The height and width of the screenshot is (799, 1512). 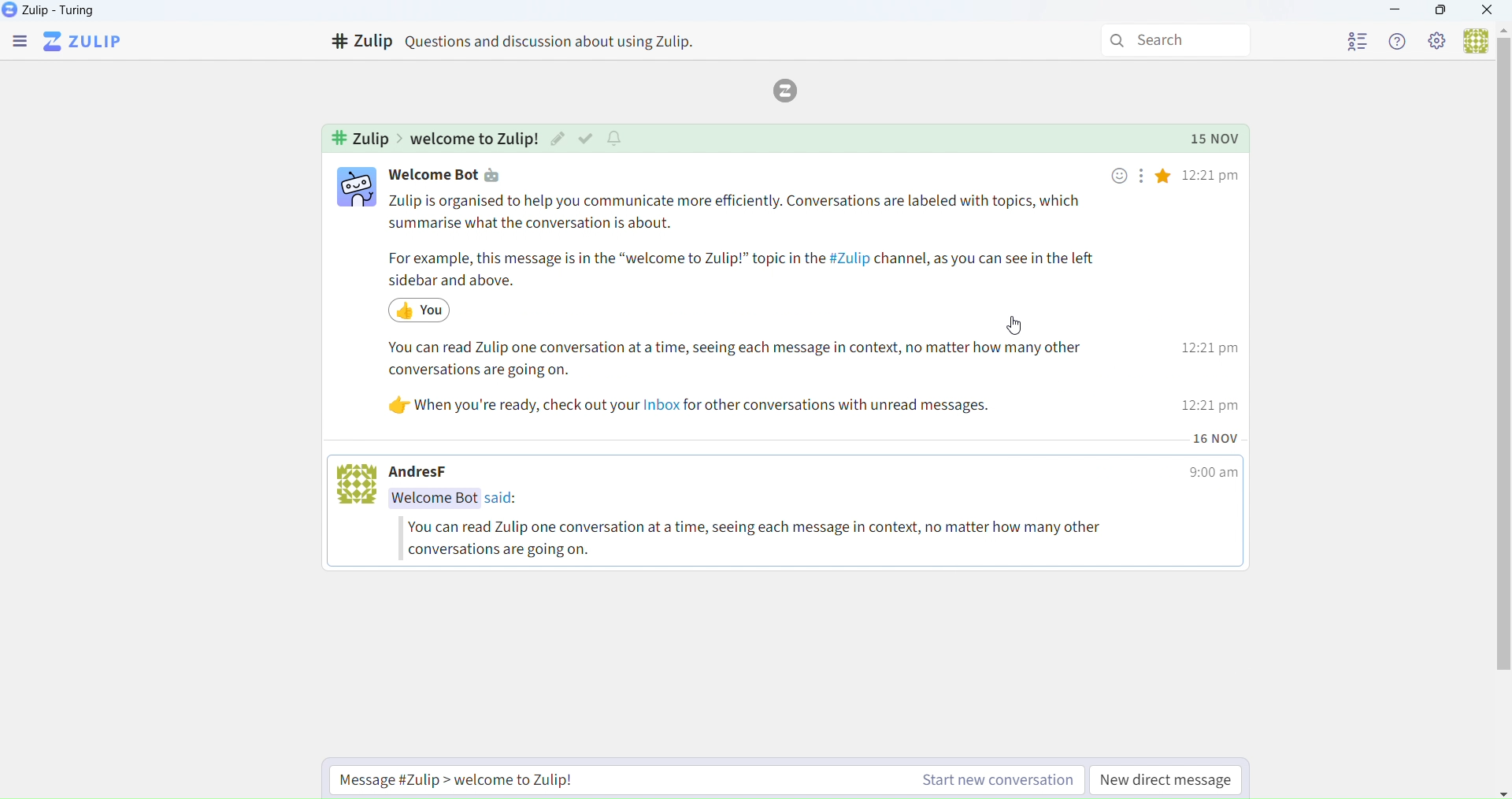 What do you see at coordinates (358, 188) in the screenshot?
I see `user profile` at bounding box center [358, 188].